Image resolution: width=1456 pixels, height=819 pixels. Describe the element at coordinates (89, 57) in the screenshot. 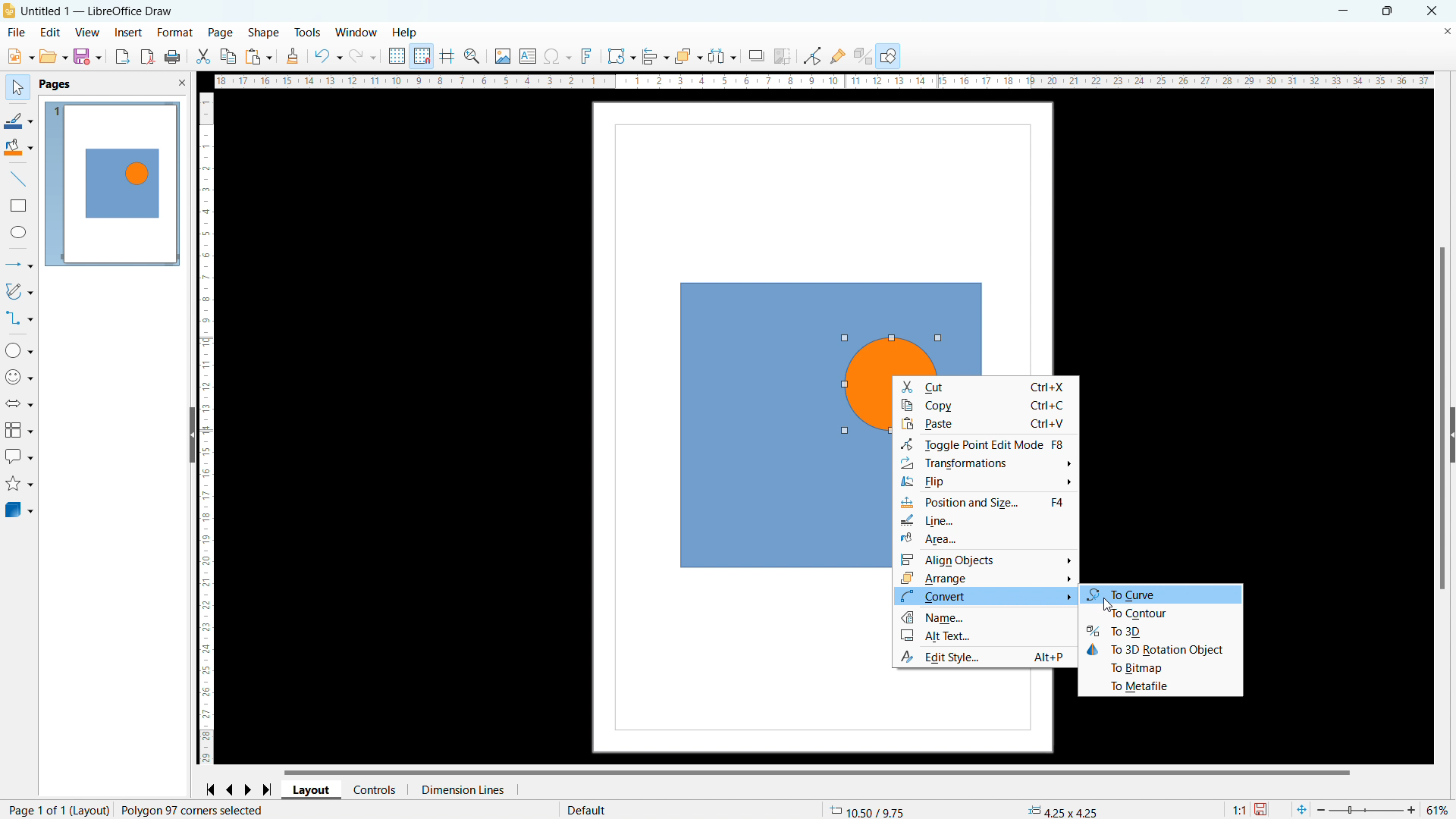

I see `save` at that location.